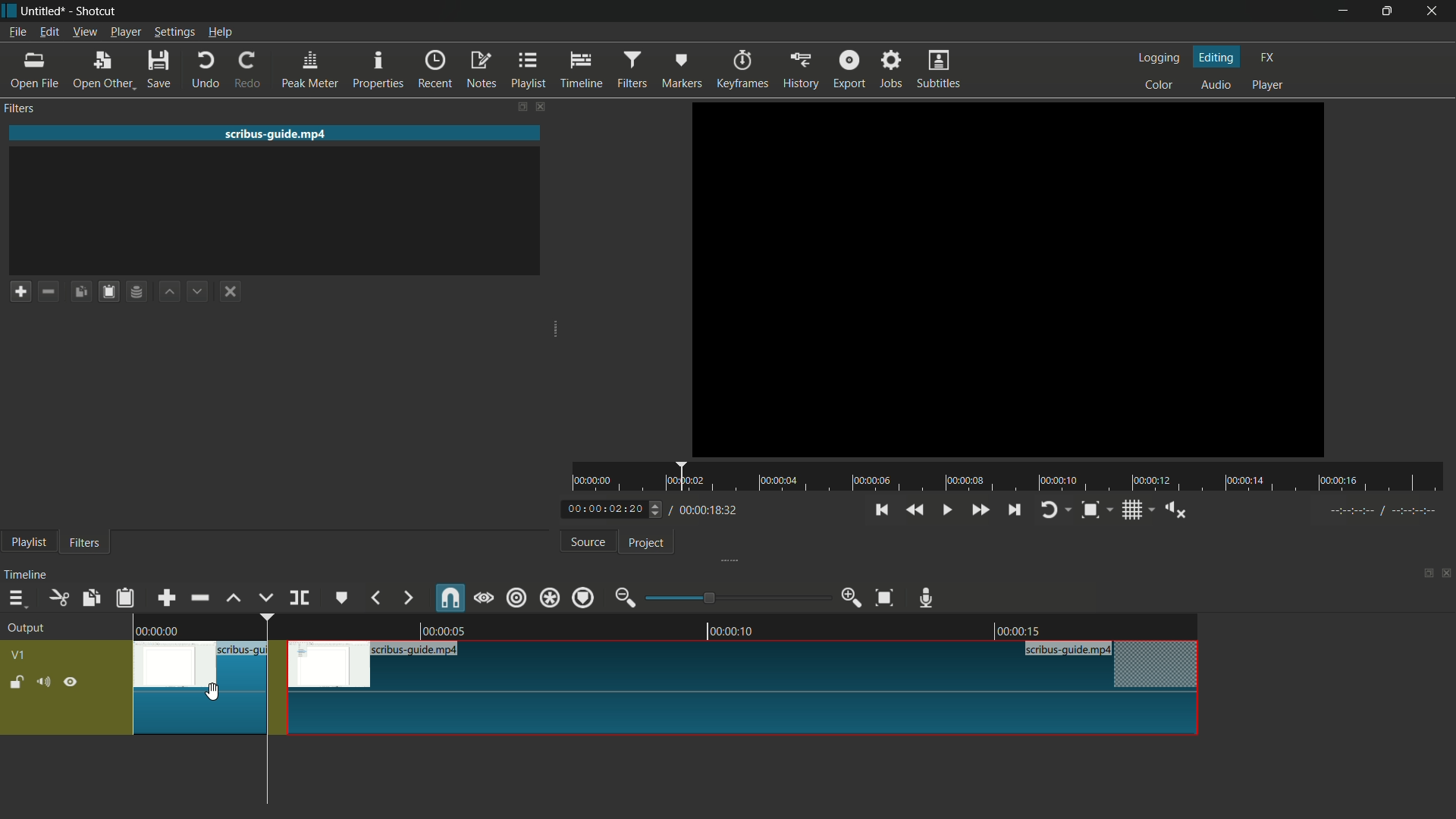 The image size is (1456, 819). I want to click on keyframes, so click(745, 71).